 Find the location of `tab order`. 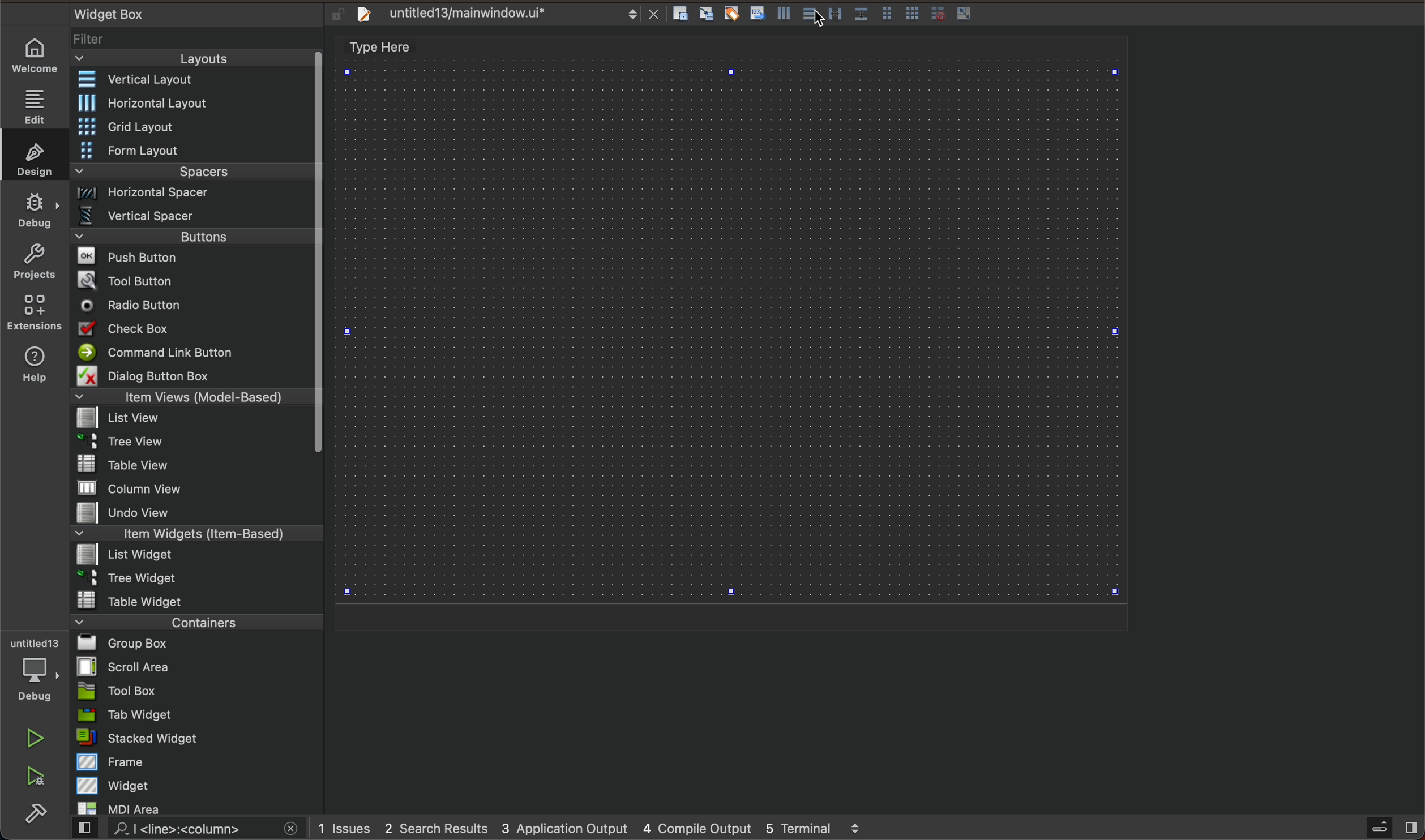

tab order is located at coordinates (759, 12).